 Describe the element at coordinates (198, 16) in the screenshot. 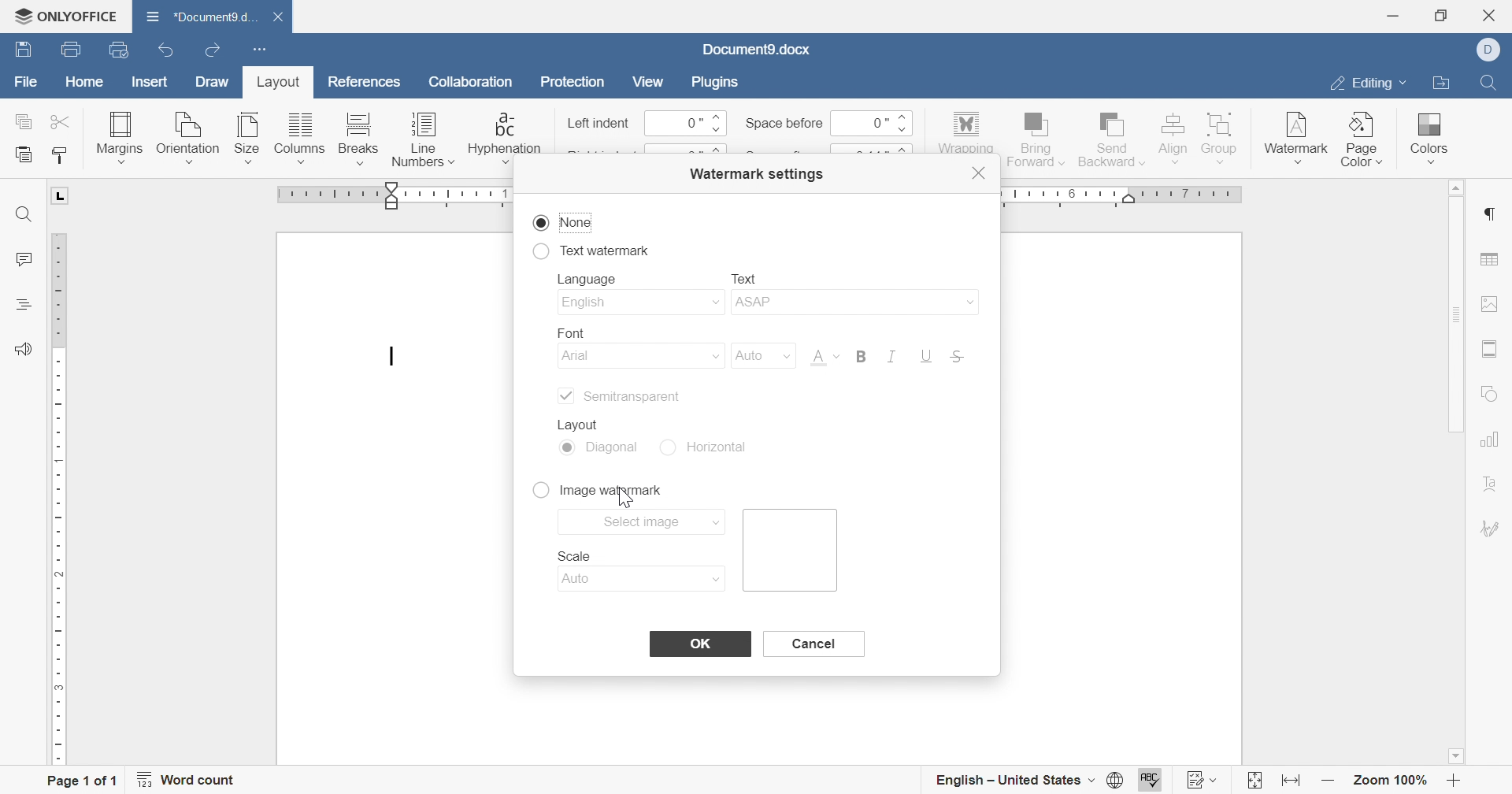

I see `document name` at that location.